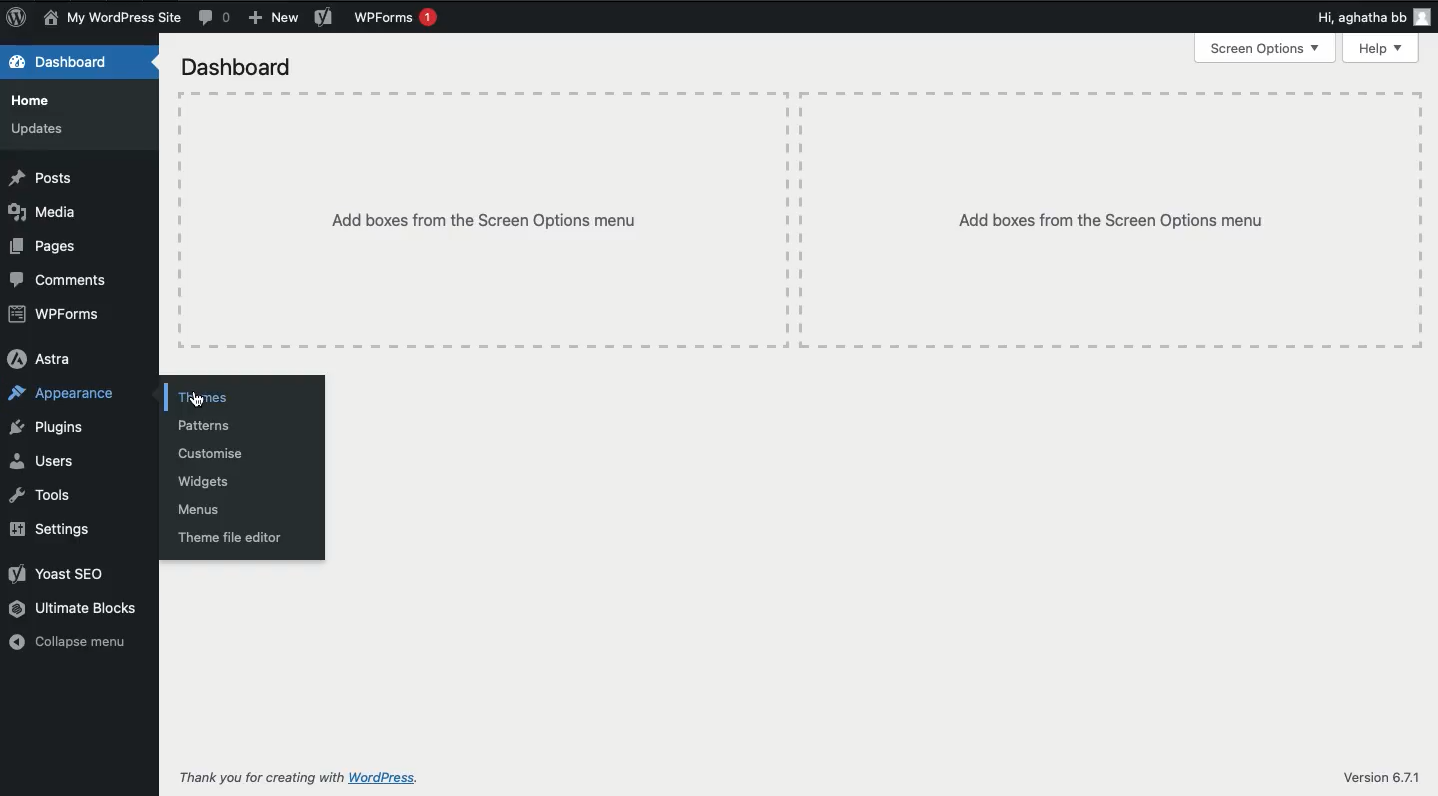 The width and height of the screenshot is (1438, 796). I want to click on Comments, so click(215, 18).